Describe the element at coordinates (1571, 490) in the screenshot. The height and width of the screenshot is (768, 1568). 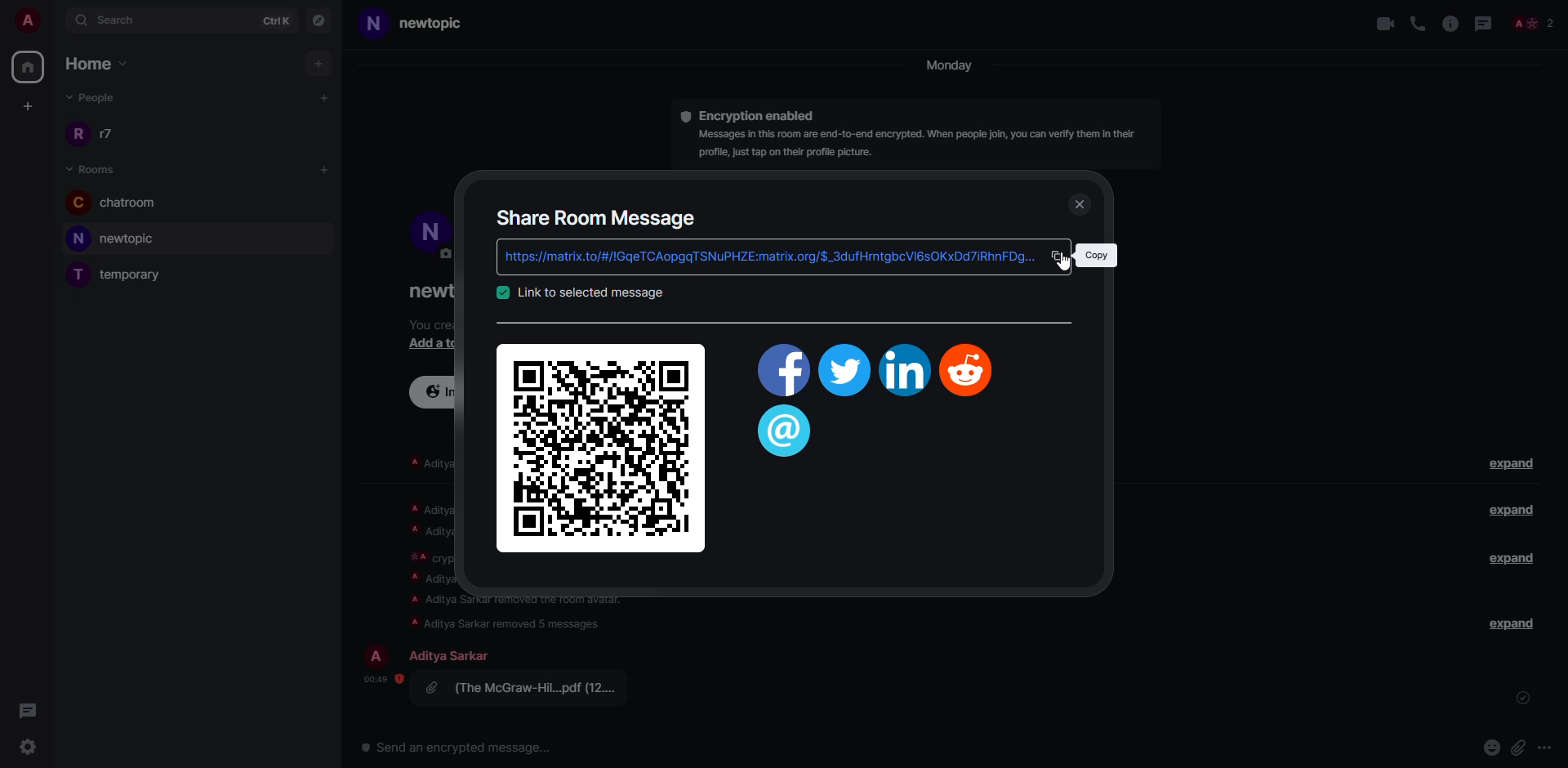
I see `scroll bar` at that location.